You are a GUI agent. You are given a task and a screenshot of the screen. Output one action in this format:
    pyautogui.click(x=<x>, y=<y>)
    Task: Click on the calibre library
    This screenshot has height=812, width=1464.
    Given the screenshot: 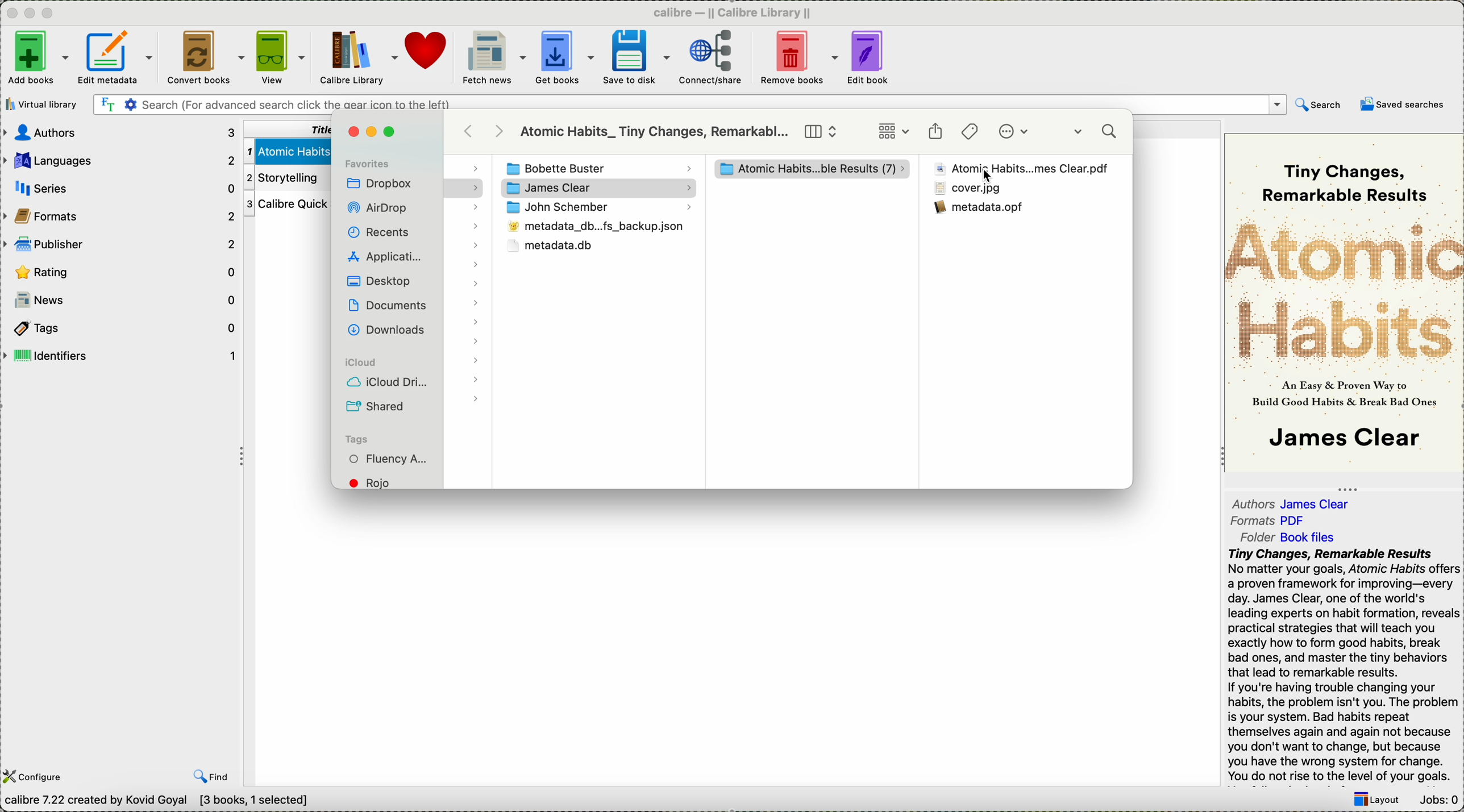 What is the action you would take?
    pyautogui.click(x=359, y=59)
    